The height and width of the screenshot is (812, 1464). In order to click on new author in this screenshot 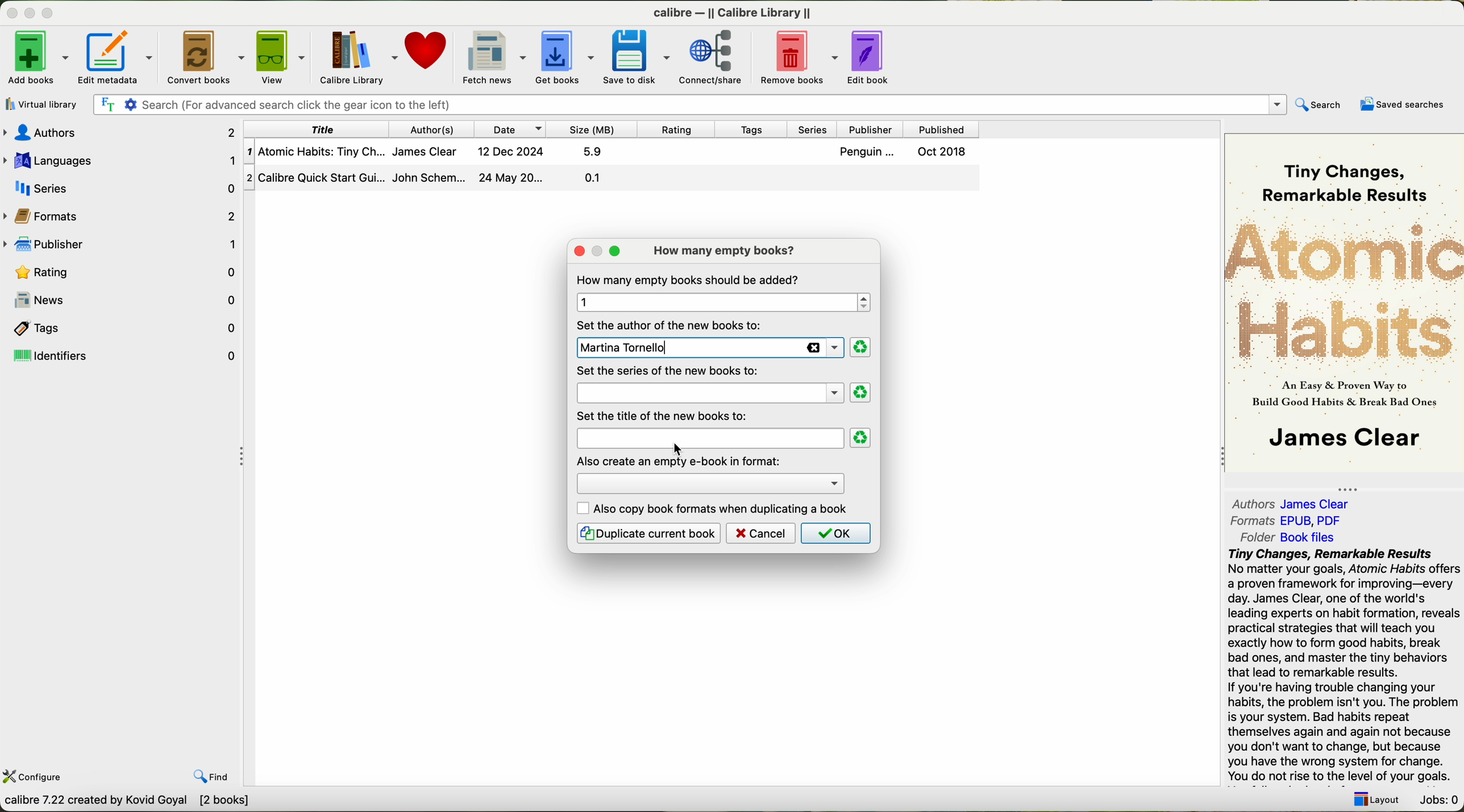, I will do `click(707, 348)`.